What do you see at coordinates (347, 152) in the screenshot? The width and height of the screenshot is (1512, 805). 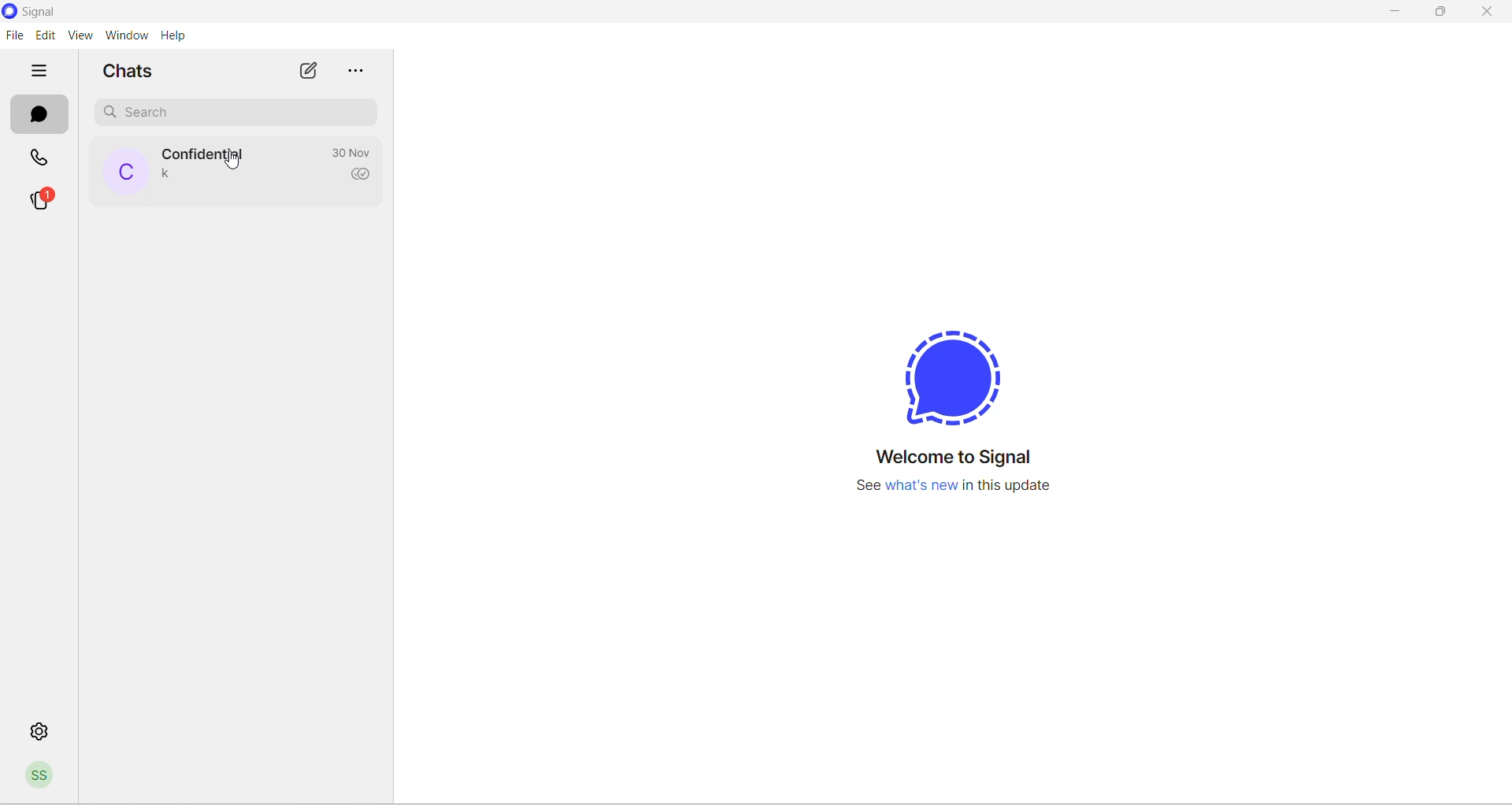 I see `last message time` at bounding box center [347, 152].